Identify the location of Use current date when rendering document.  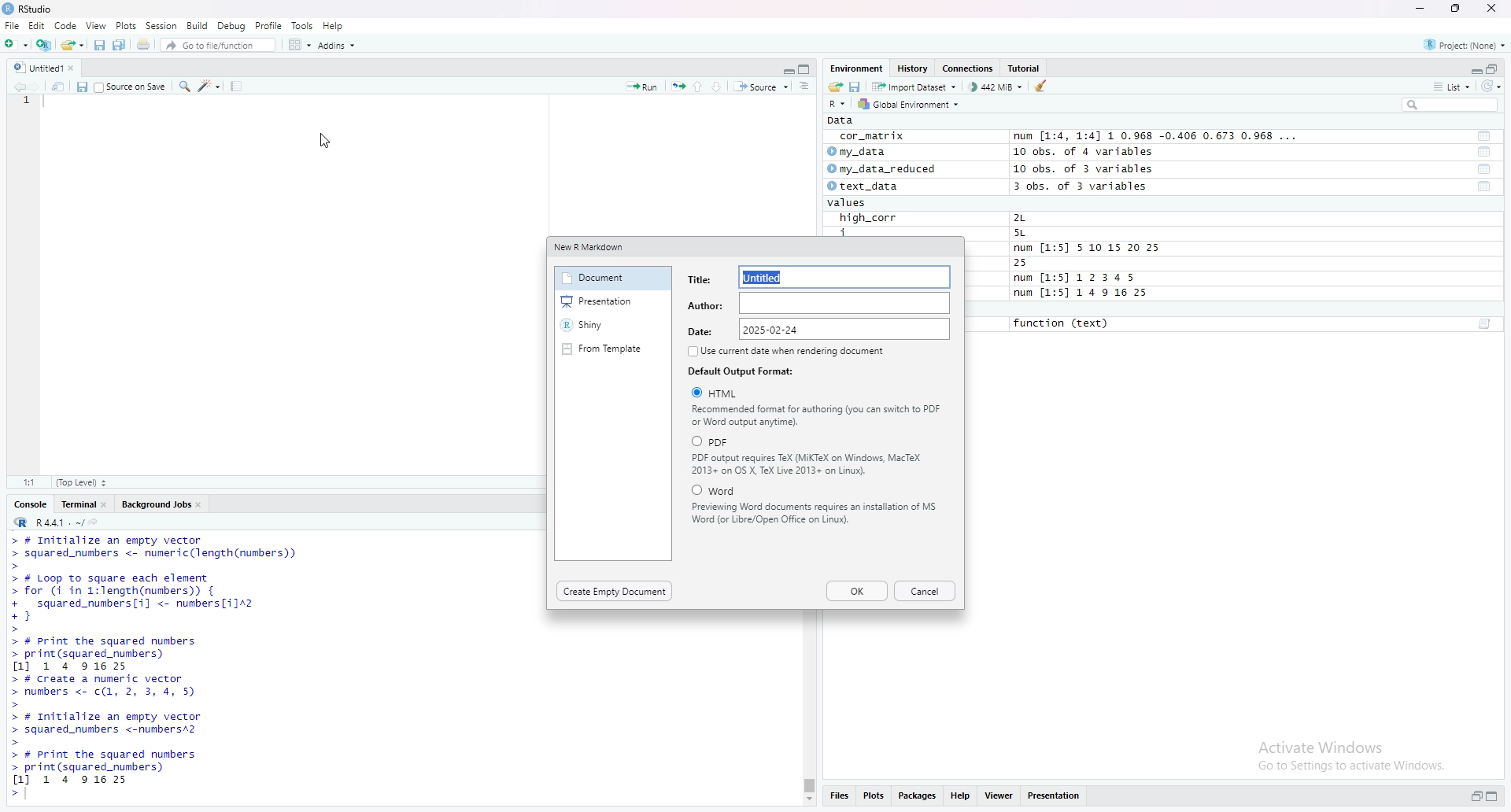
(802, 351).